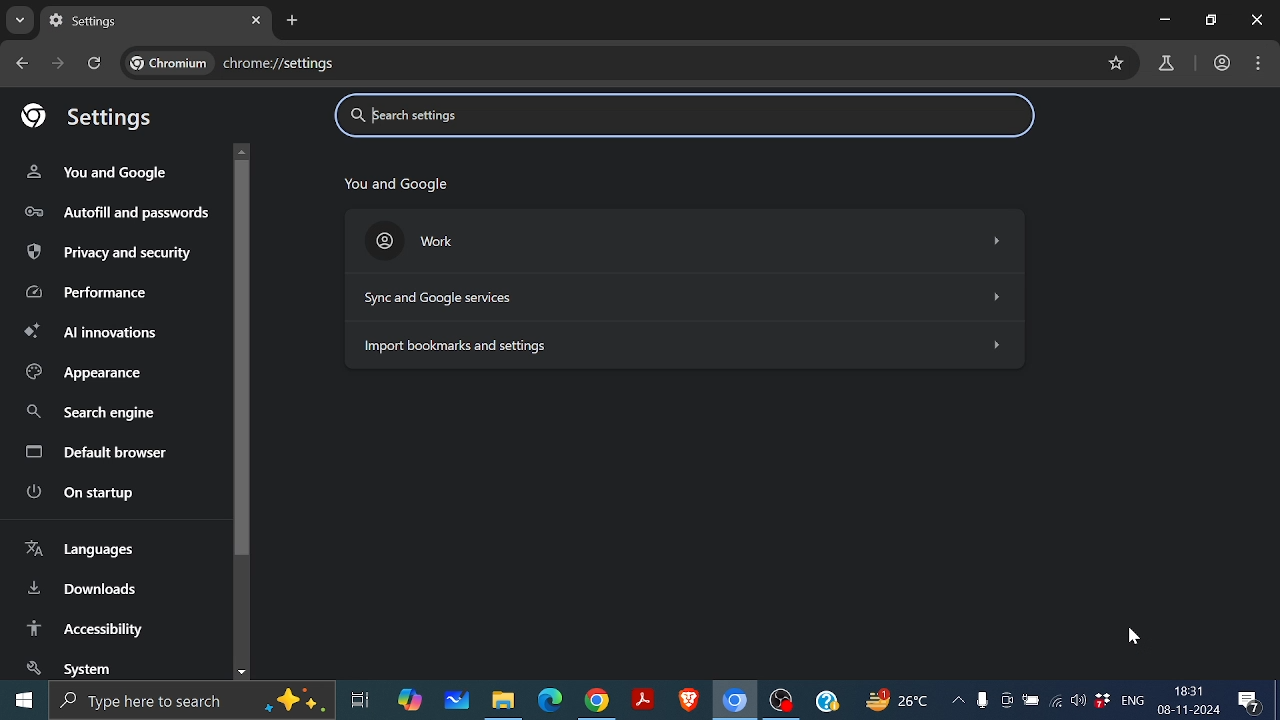 This screenshot has height=720, width=1280. Describe the element at coordinates (121, 217) in the screenshot. I see `Autofill and passwords` at that location.